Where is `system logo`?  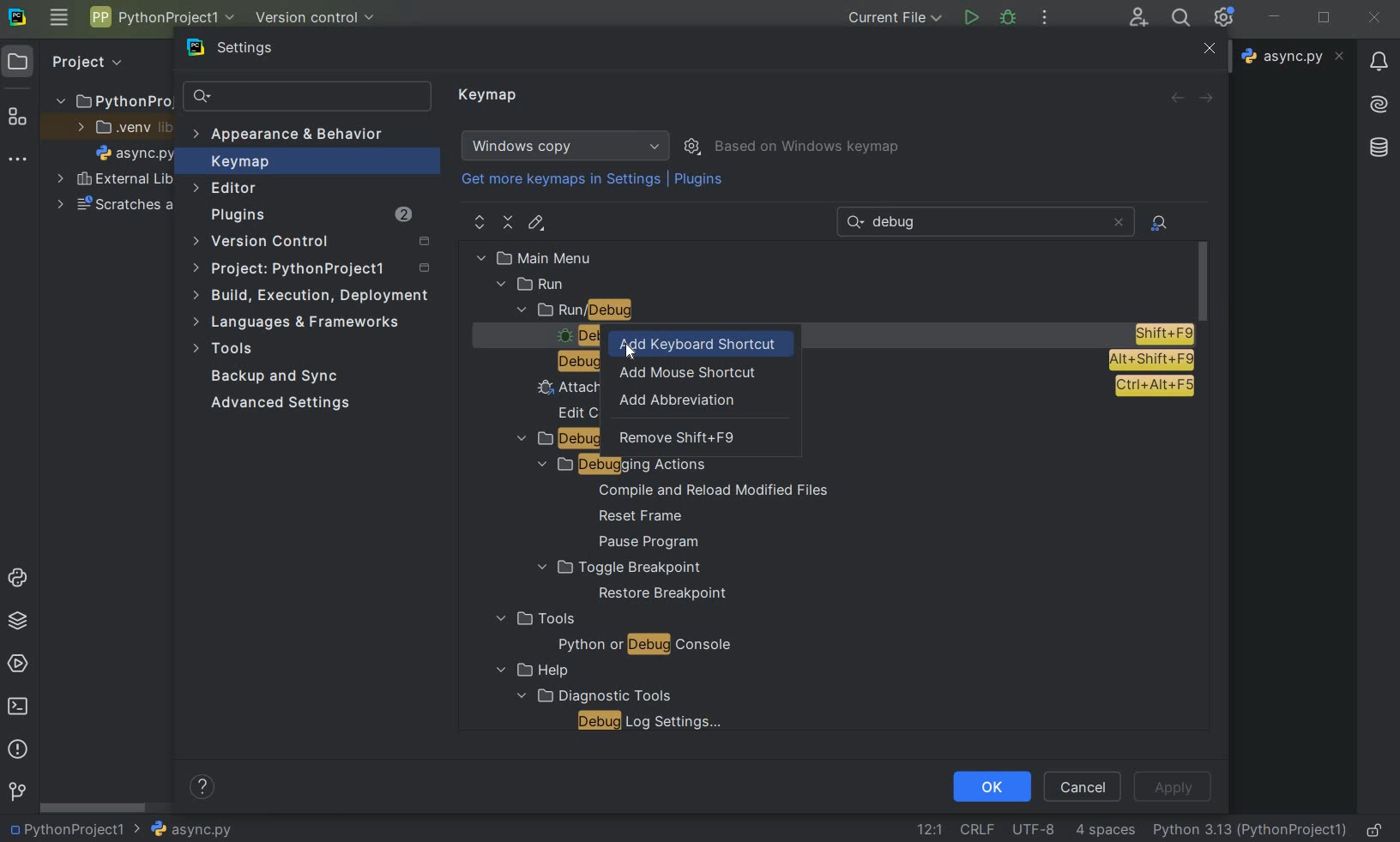
system logo is located at coordinates (16, 15).